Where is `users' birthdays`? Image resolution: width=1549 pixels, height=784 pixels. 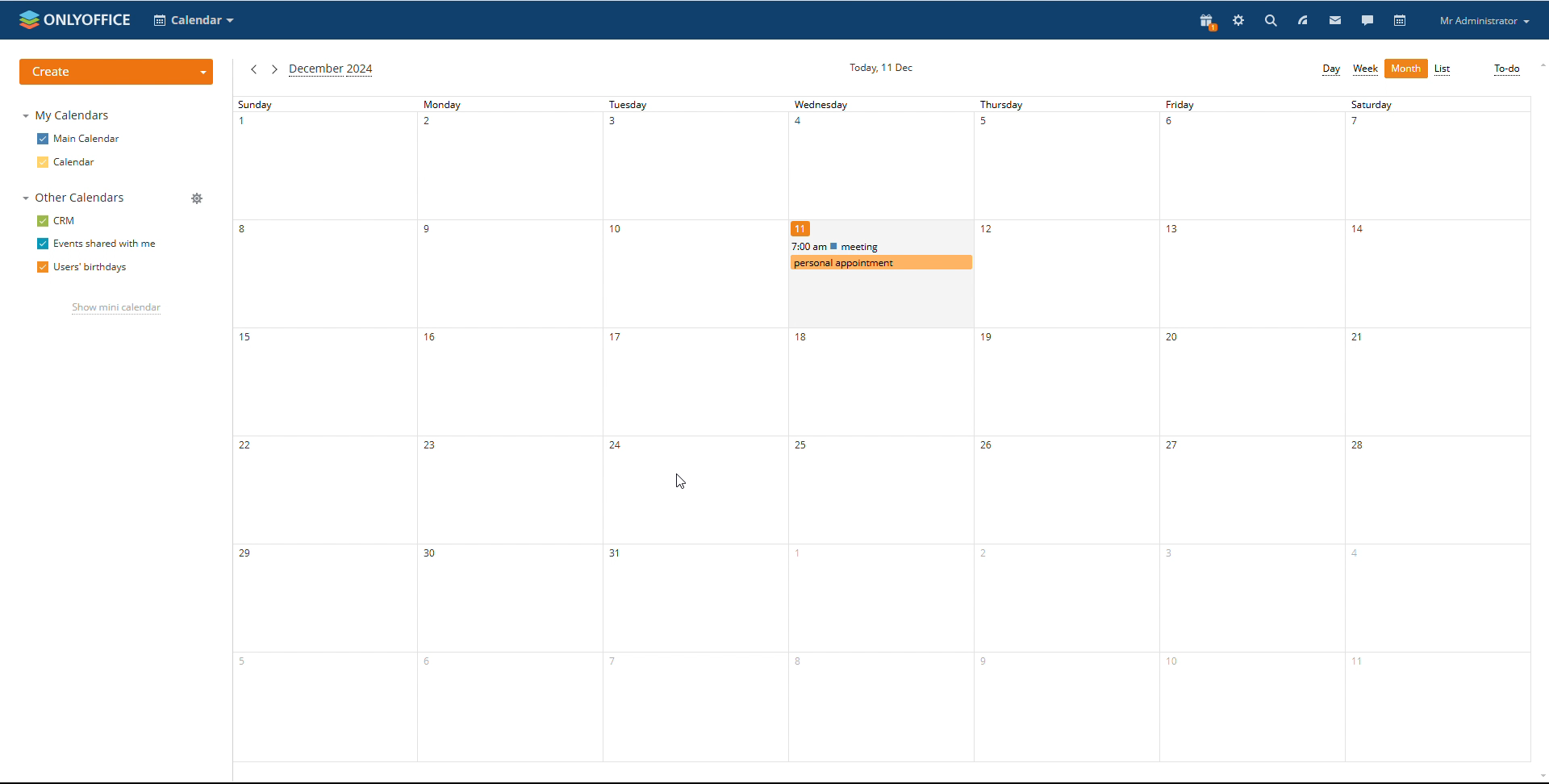 users' birthdays is located at coordinates (83, 269).